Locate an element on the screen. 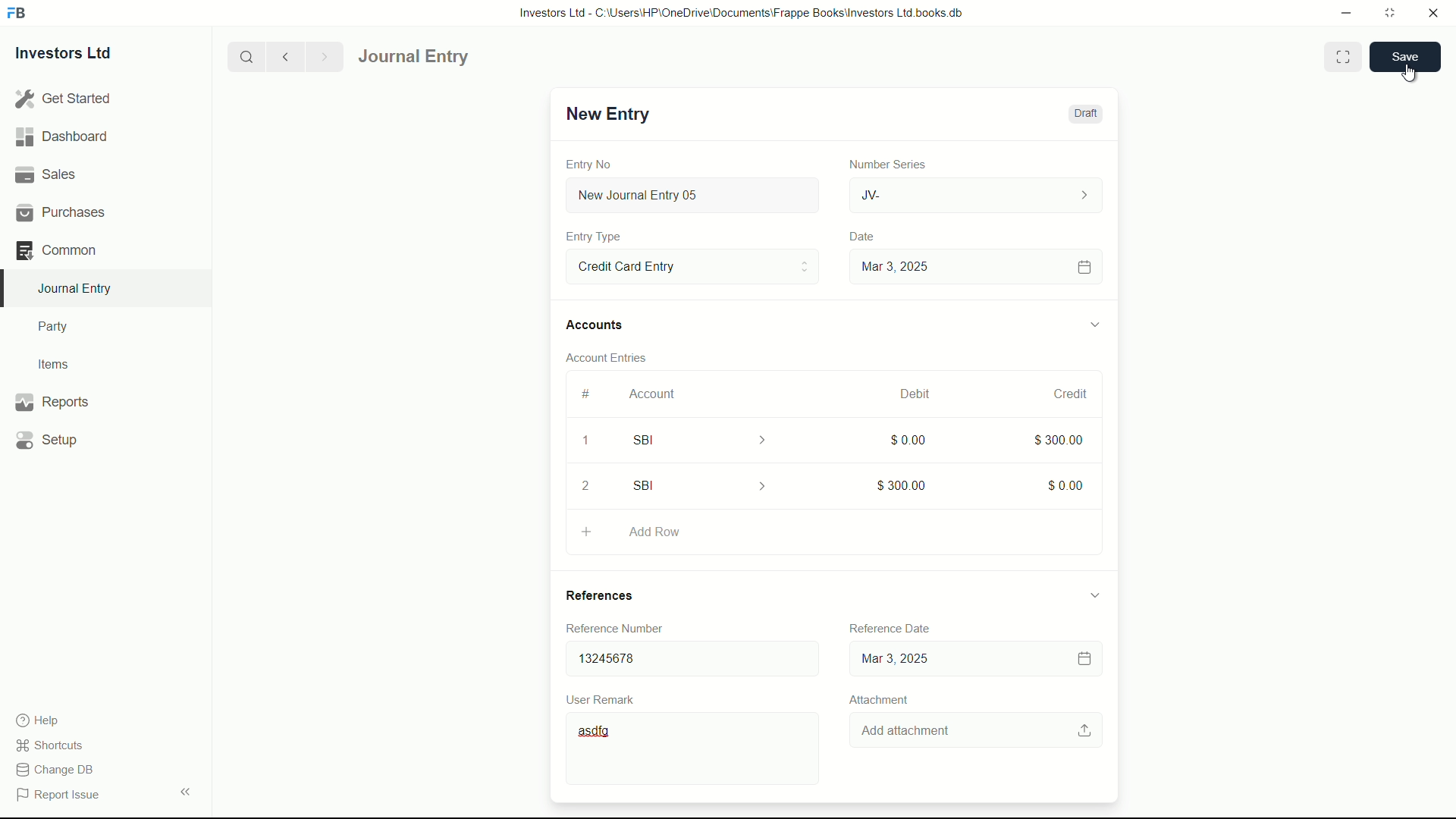 The width and height of the screenshot is (1456, 819). 13245678 is located at coordinates (686, 655).